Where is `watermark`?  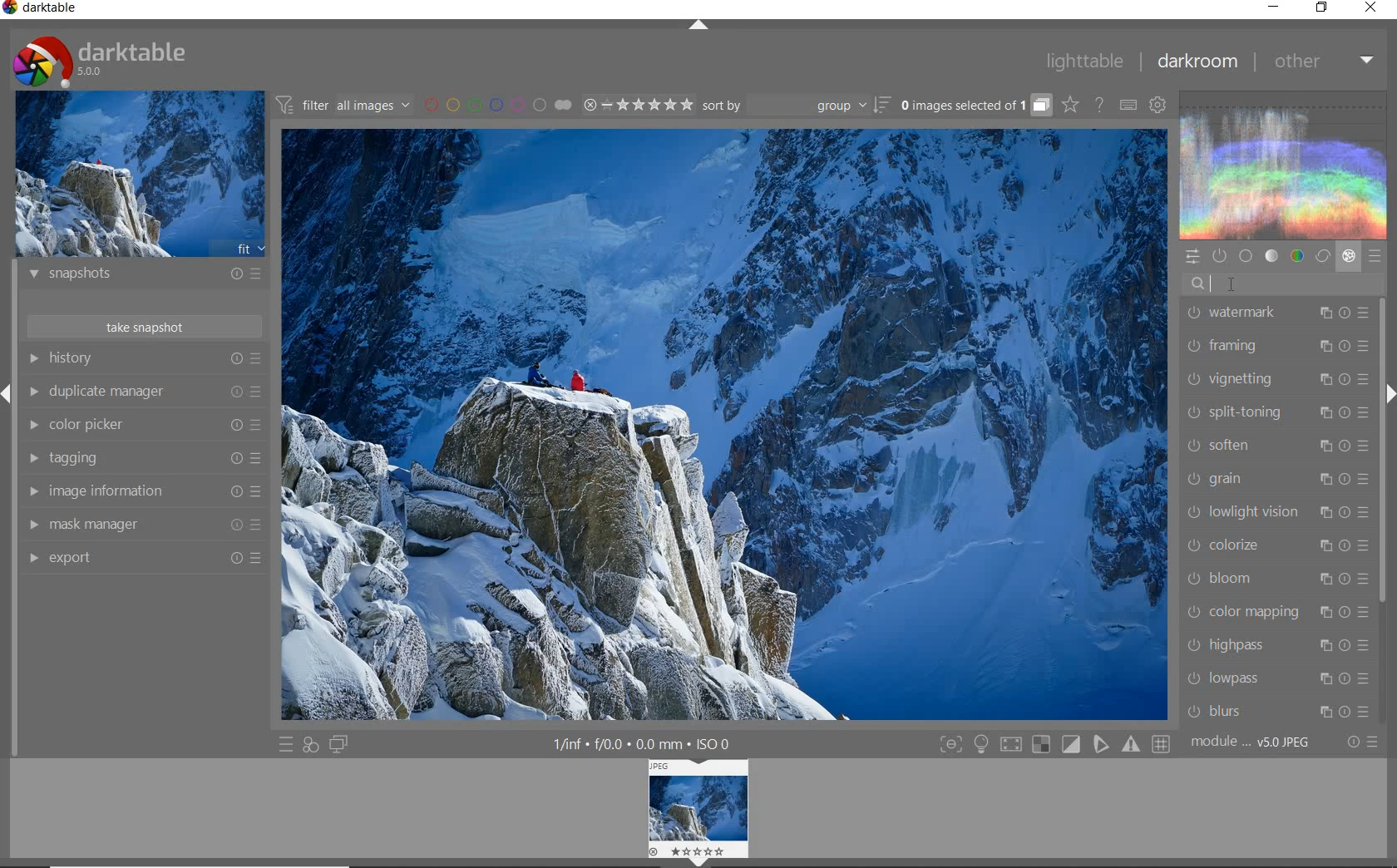 watermark is located at coordinates (1276, 315).